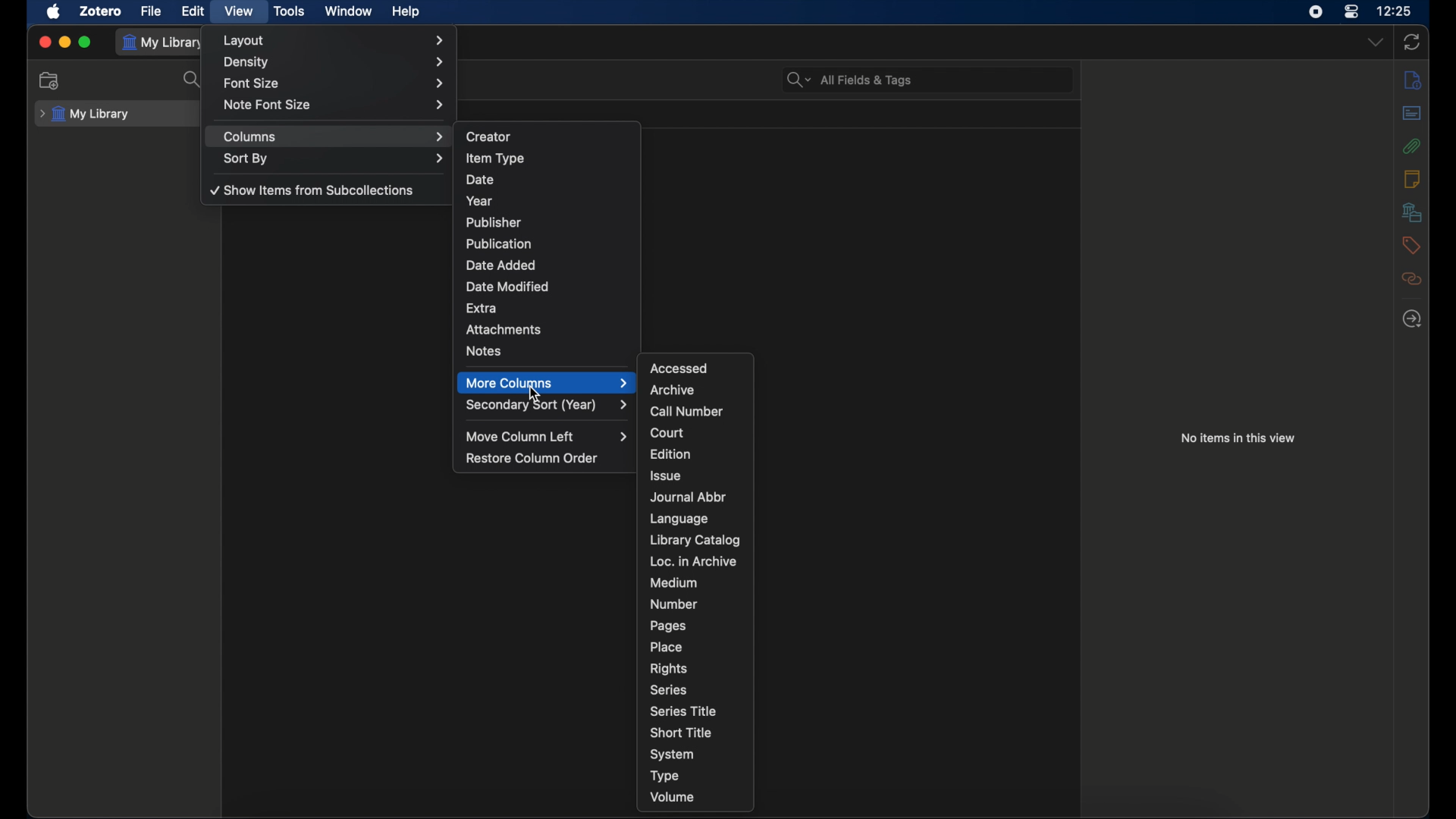 The width and height of the screenshot is (1456, 819). I want to click on item type, so click(496, 159).